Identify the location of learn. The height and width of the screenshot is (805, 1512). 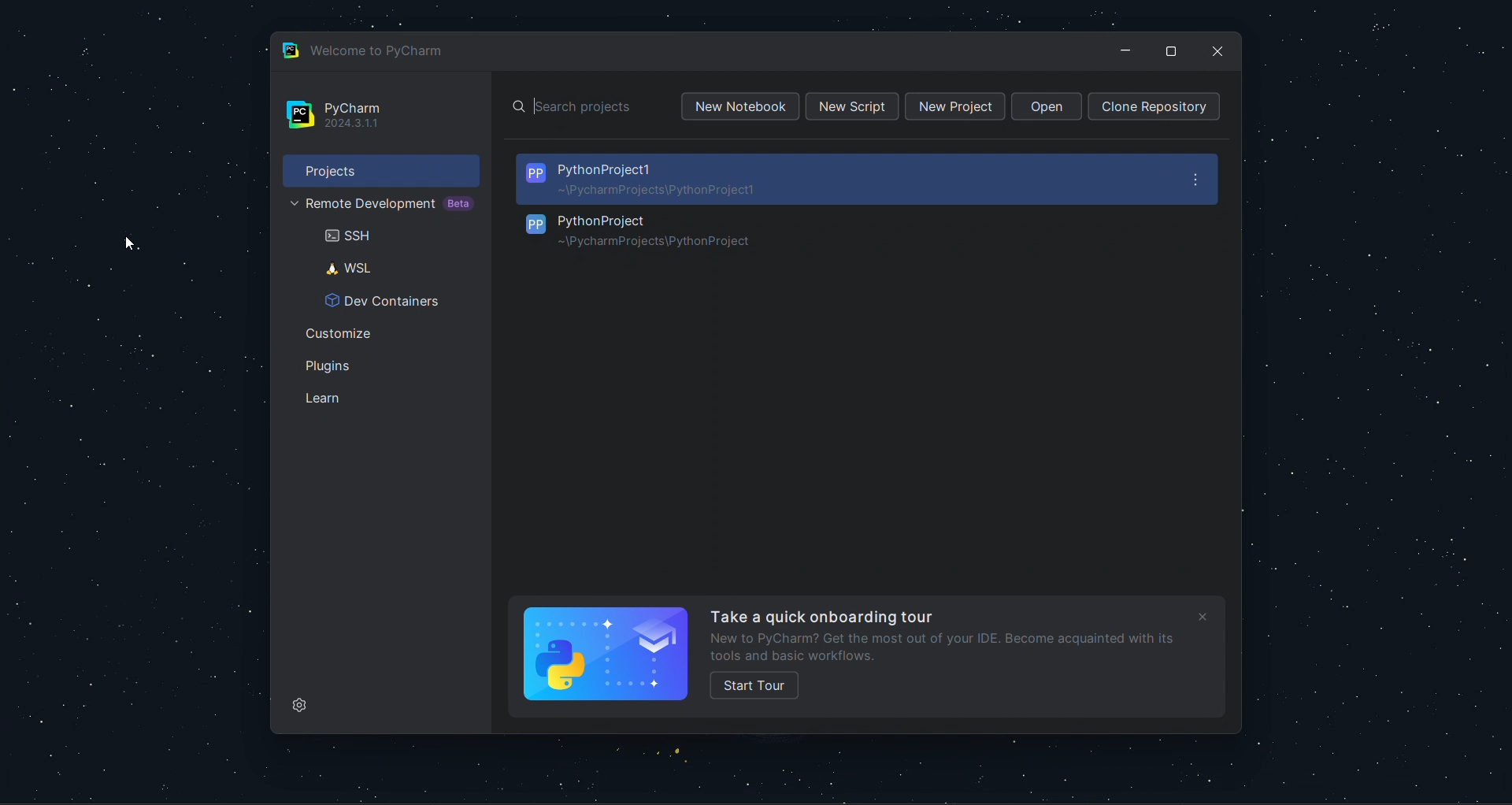
(378, 400).